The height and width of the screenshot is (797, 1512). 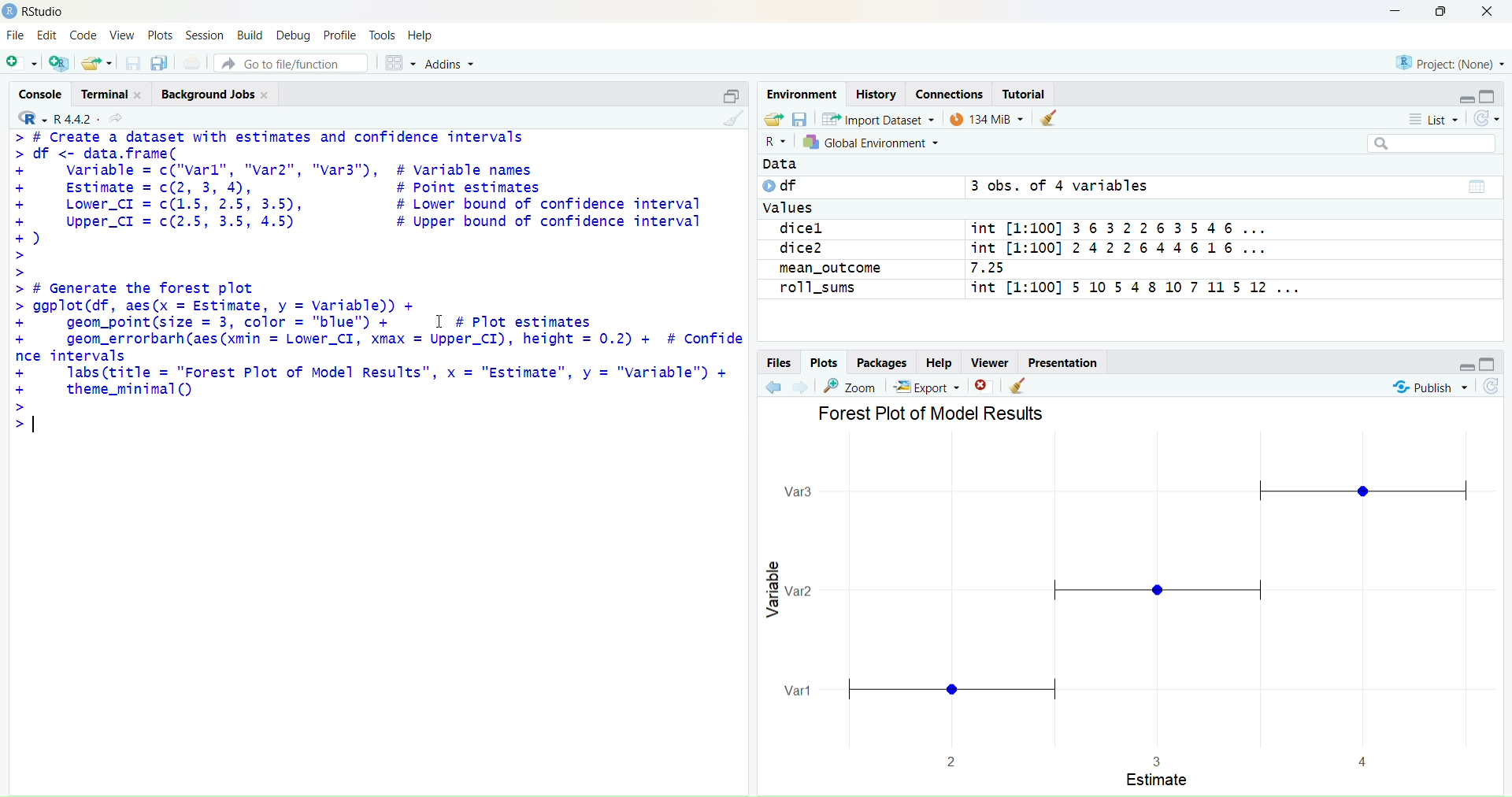 What do you see at coordinates (46, 35) in the screenshot?
I see `Edit` at bounding box center [46, 35].